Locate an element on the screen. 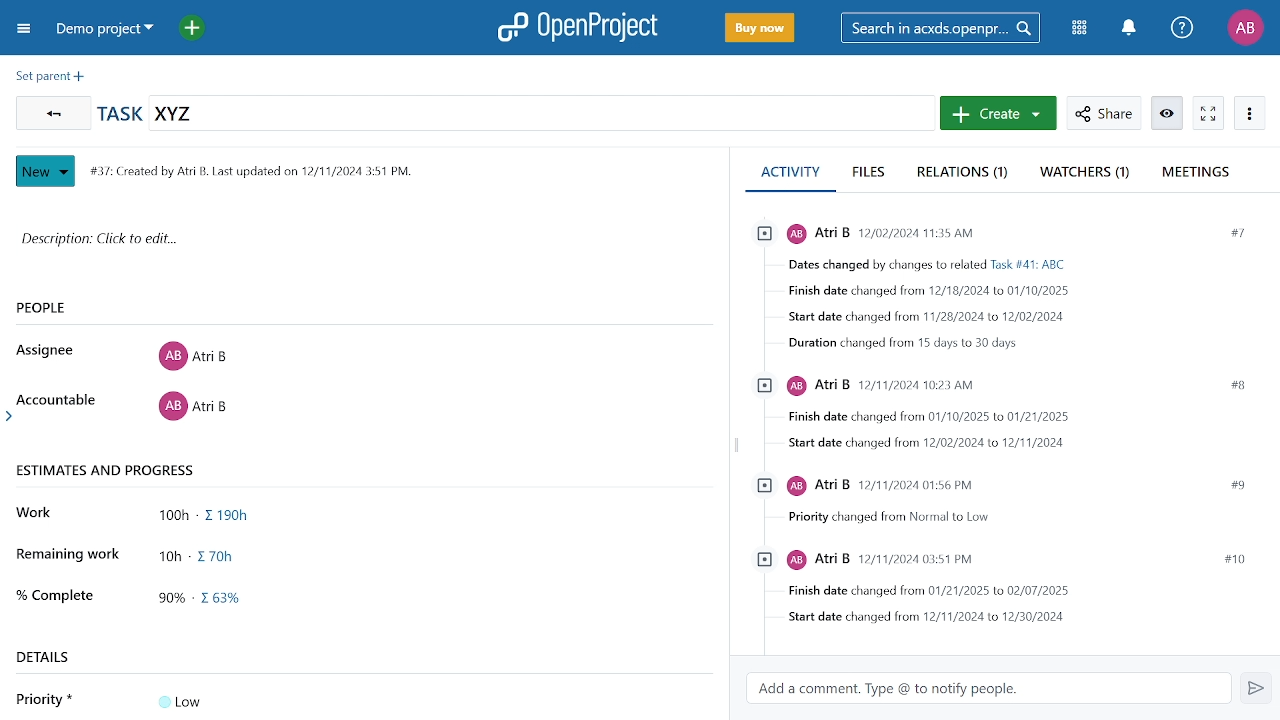  Add project is located at coordinates (196, 28).